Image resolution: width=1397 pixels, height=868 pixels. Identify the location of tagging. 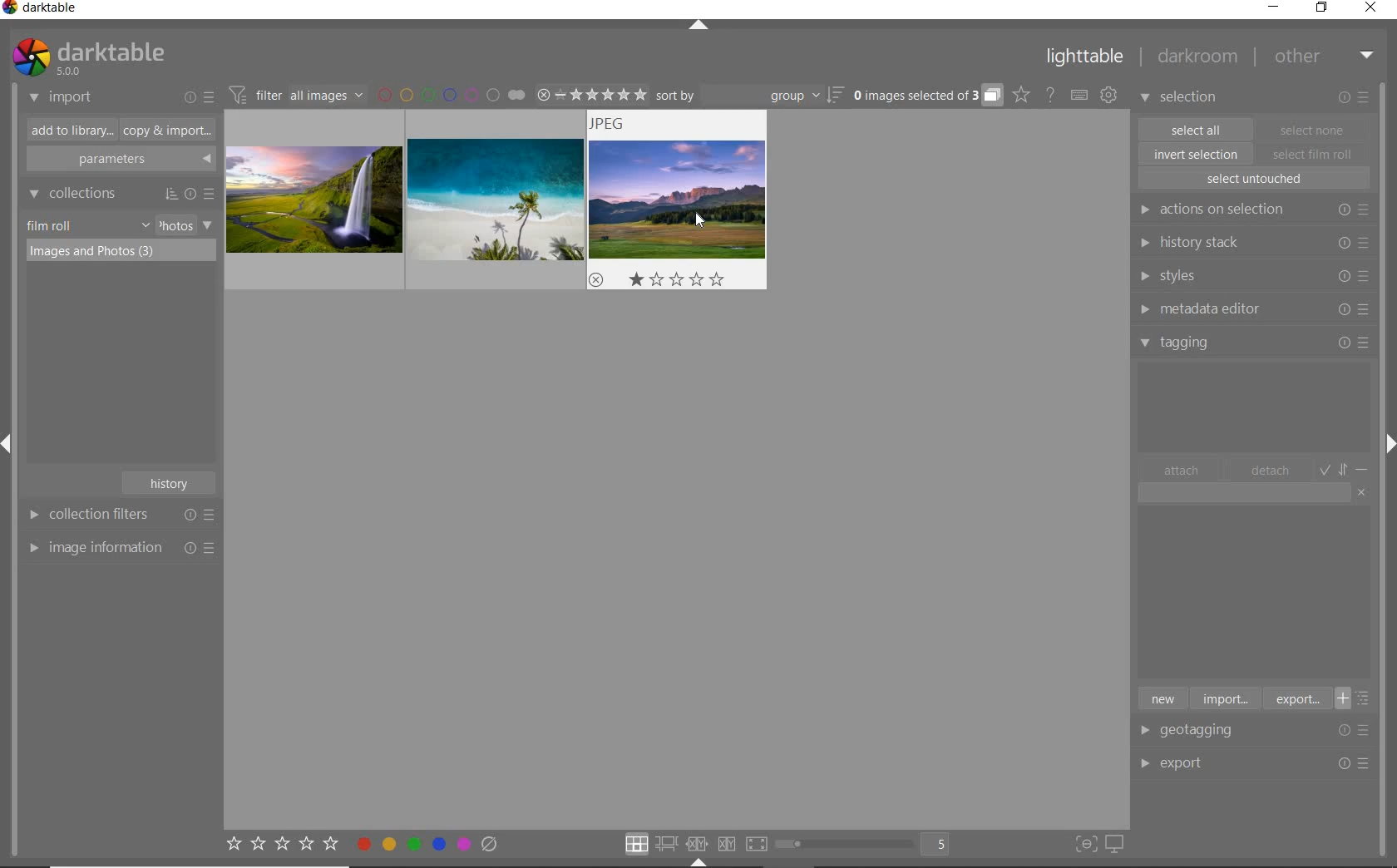
(1255, 342).